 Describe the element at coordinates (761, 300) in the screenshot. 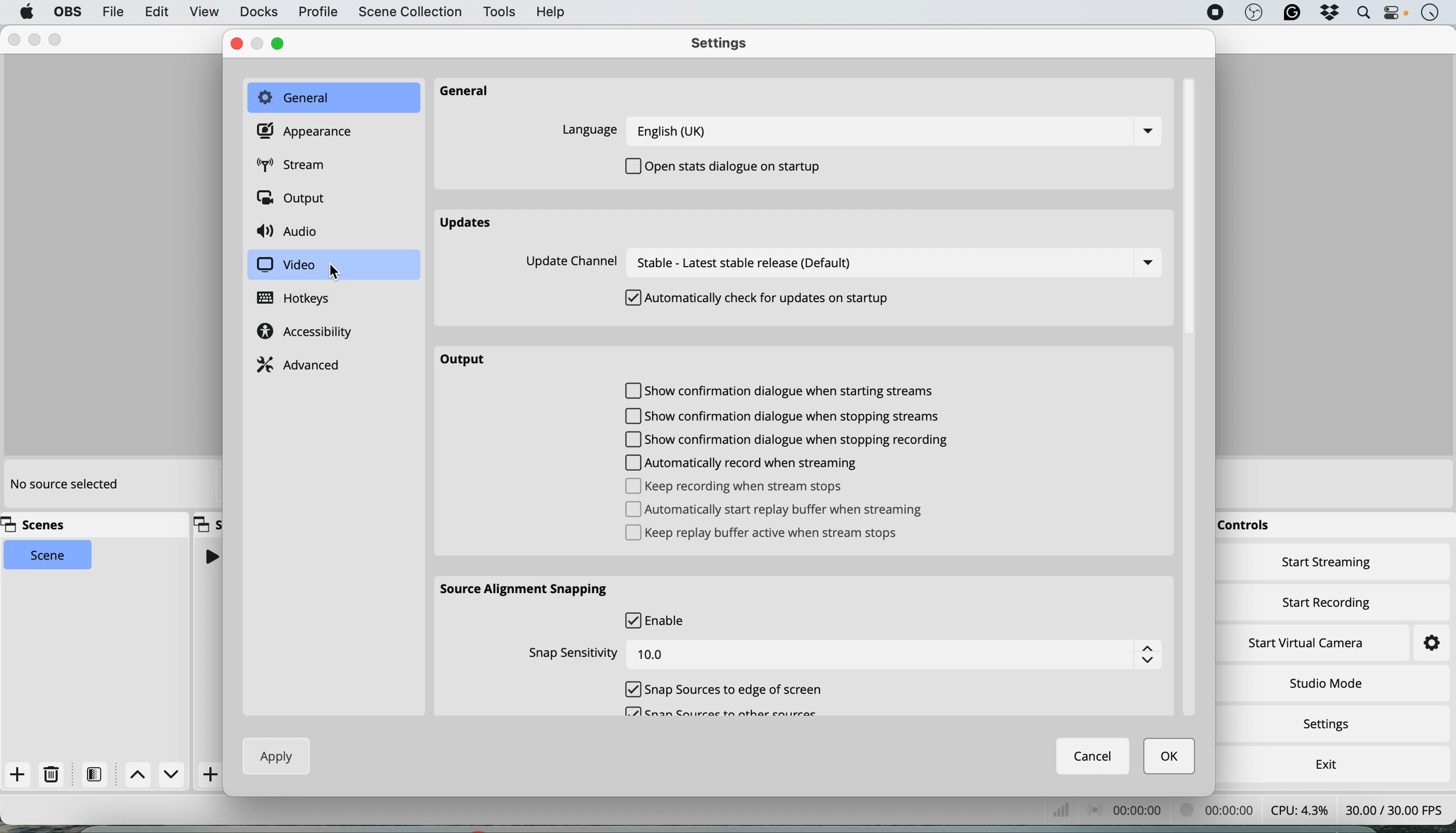

I see `automatically check for updates on startup` at that location.